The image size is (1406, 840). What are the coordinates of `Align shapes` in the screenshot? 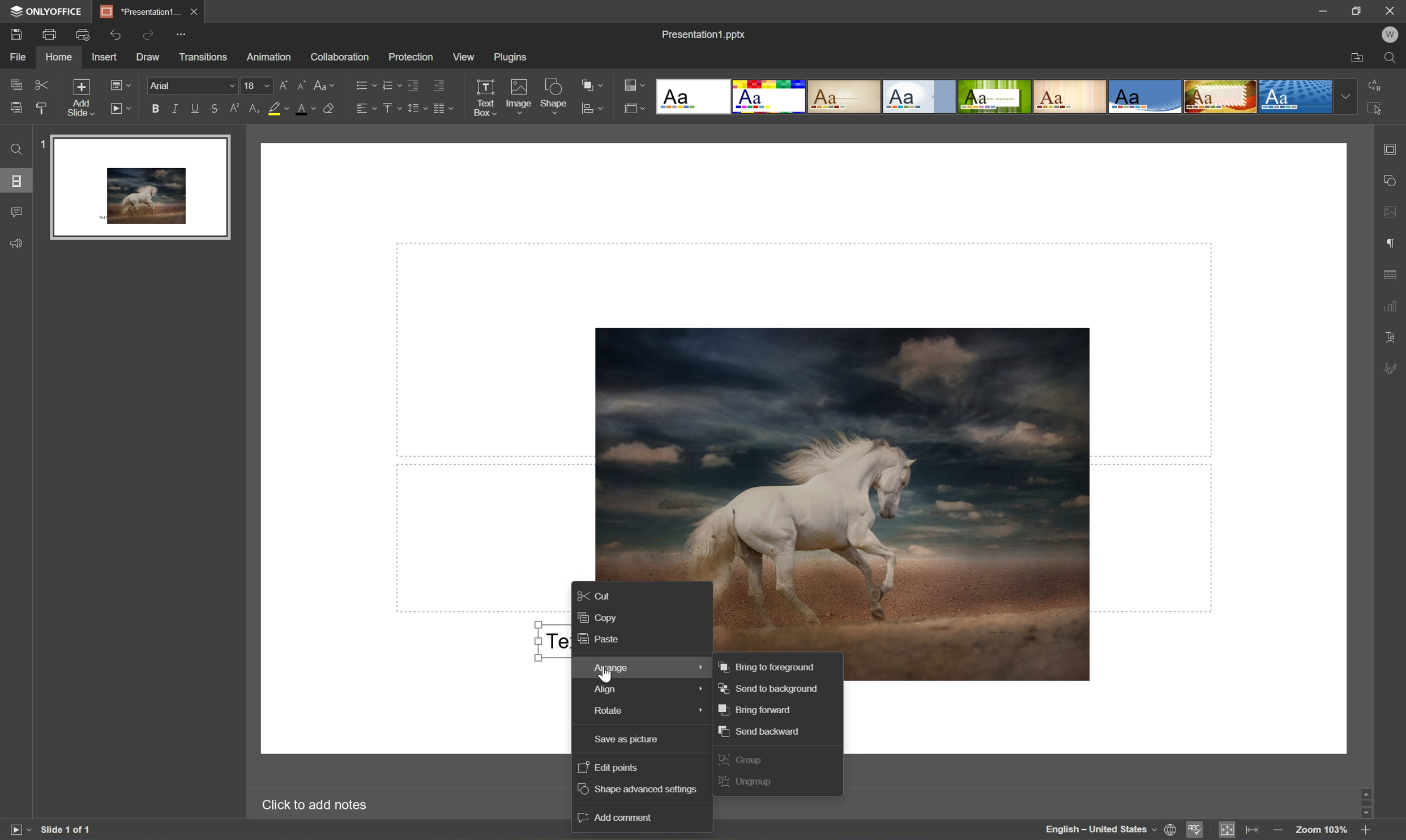 It's located at (591, 109).